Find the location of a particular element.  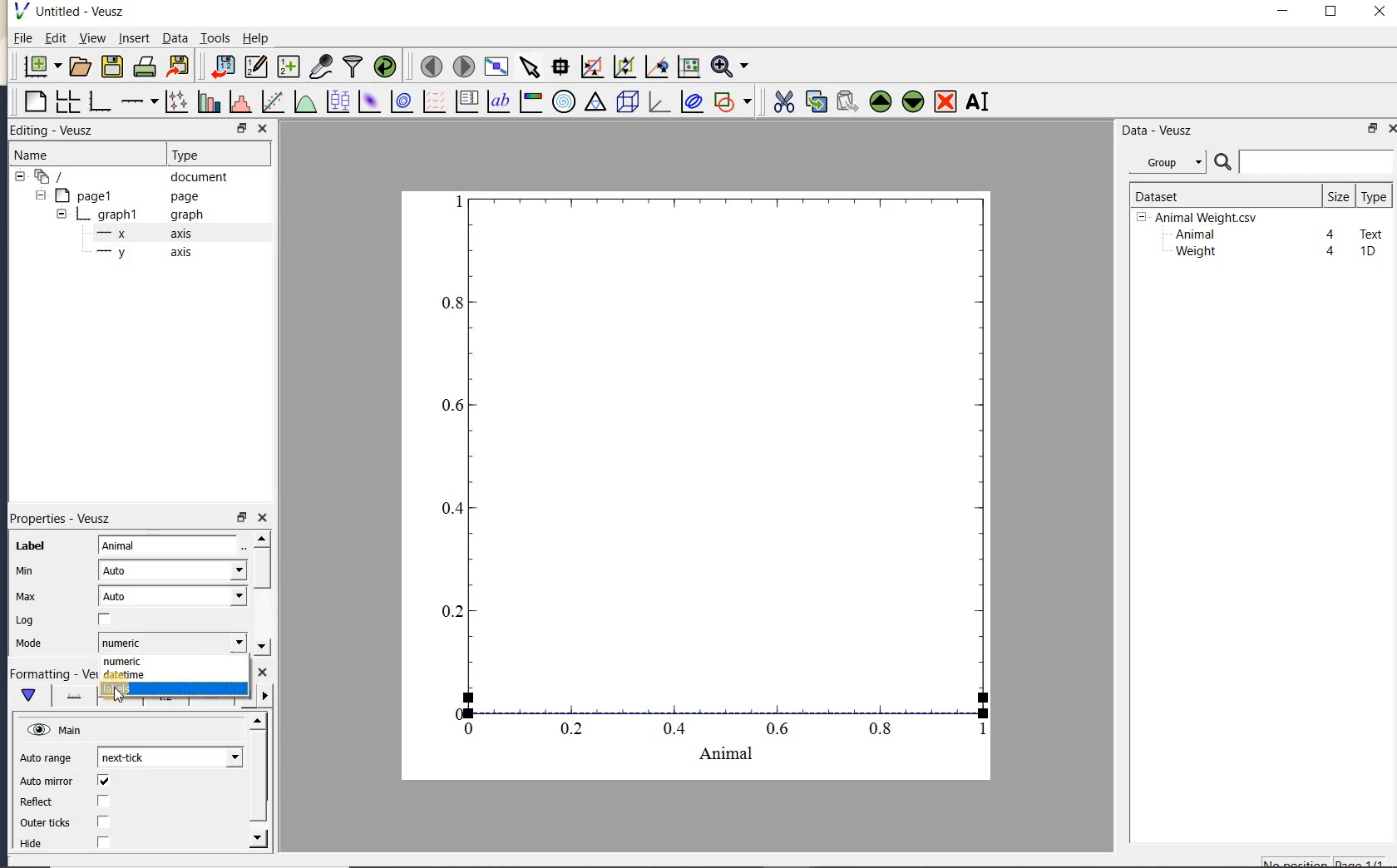

search datasets is located at coordinates (1304, 162).